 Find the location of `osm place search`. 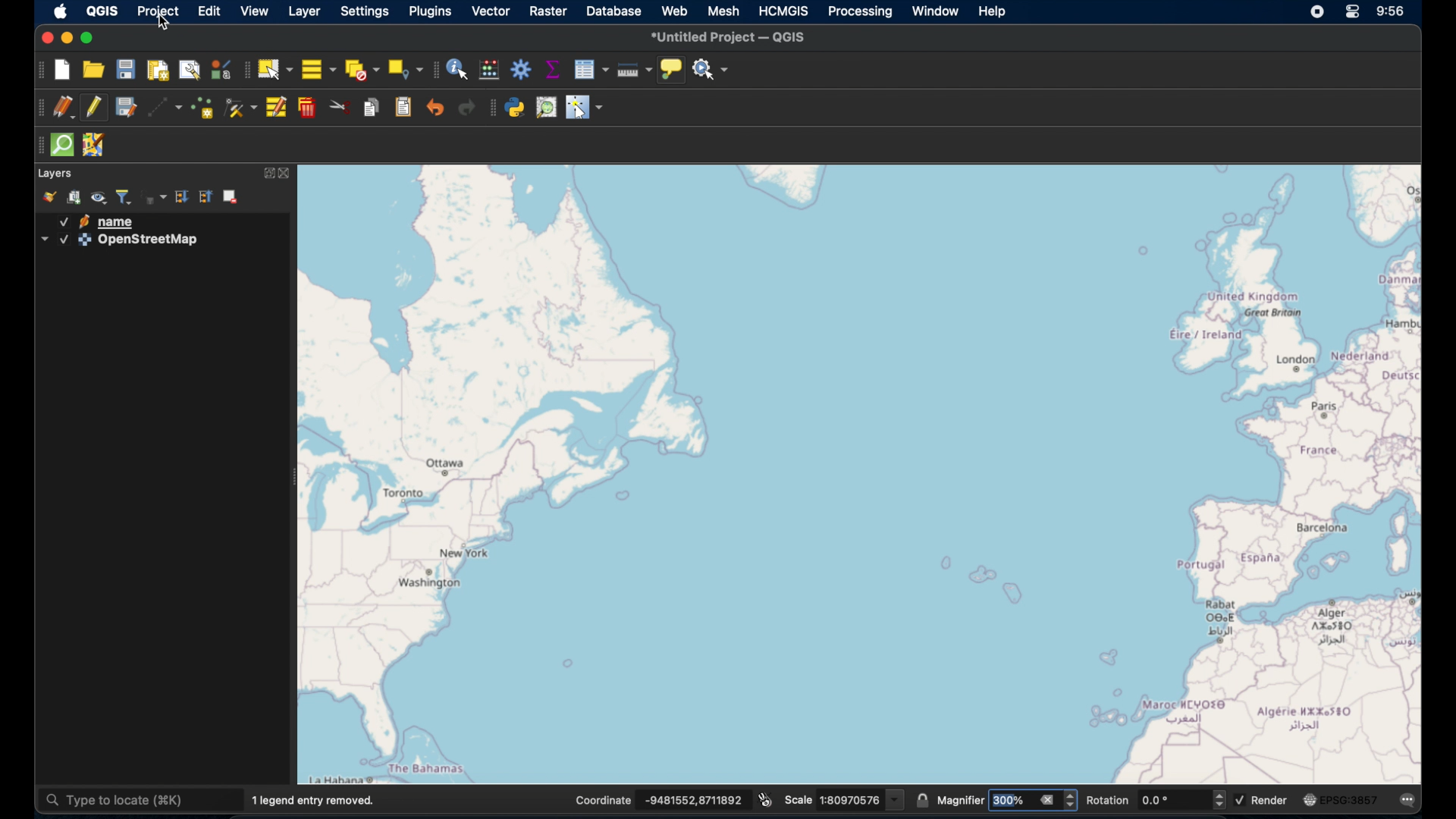

osm place search is located at coordinates (546, 108).